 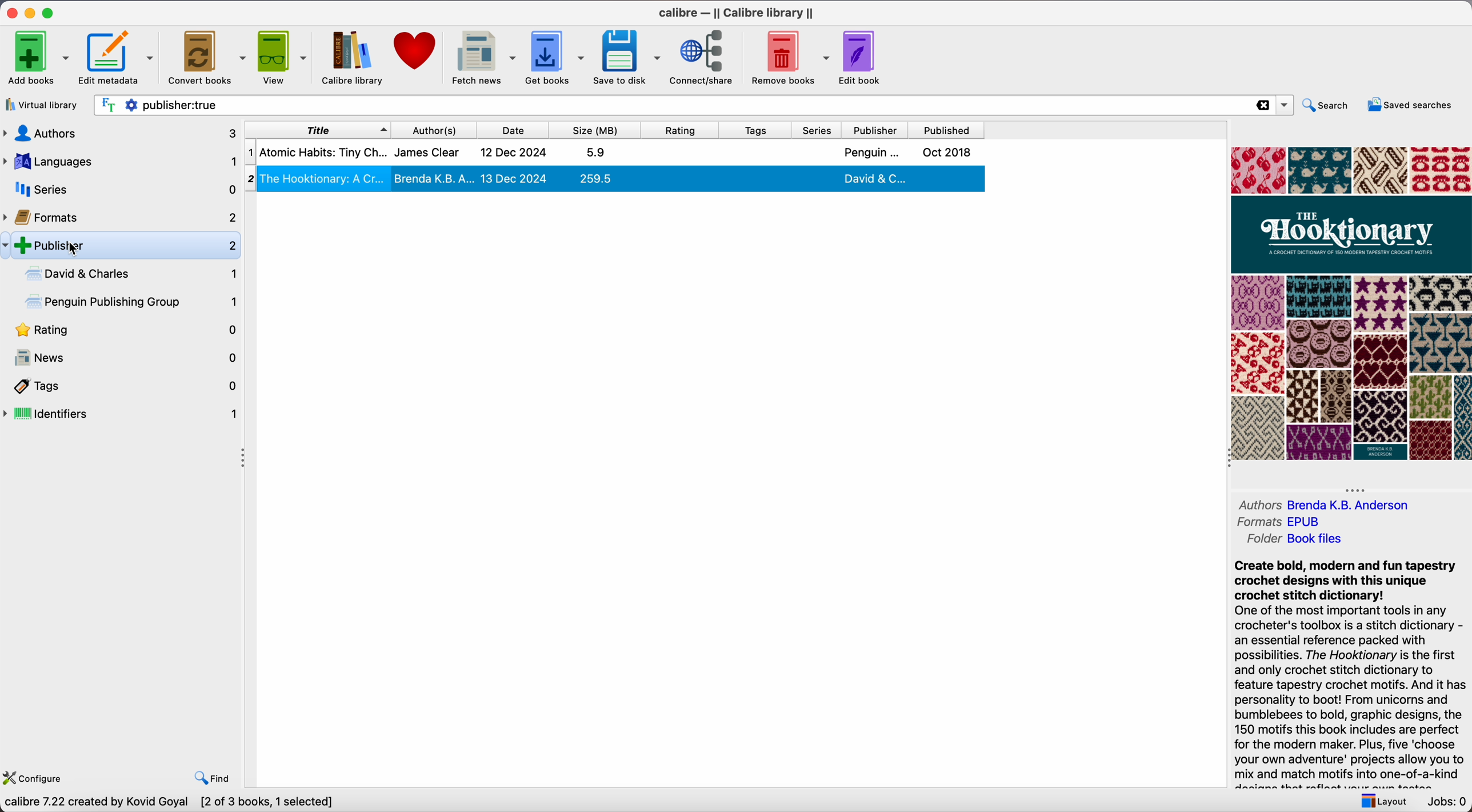 I want to click on fetch news, so click(x=483, y=58).